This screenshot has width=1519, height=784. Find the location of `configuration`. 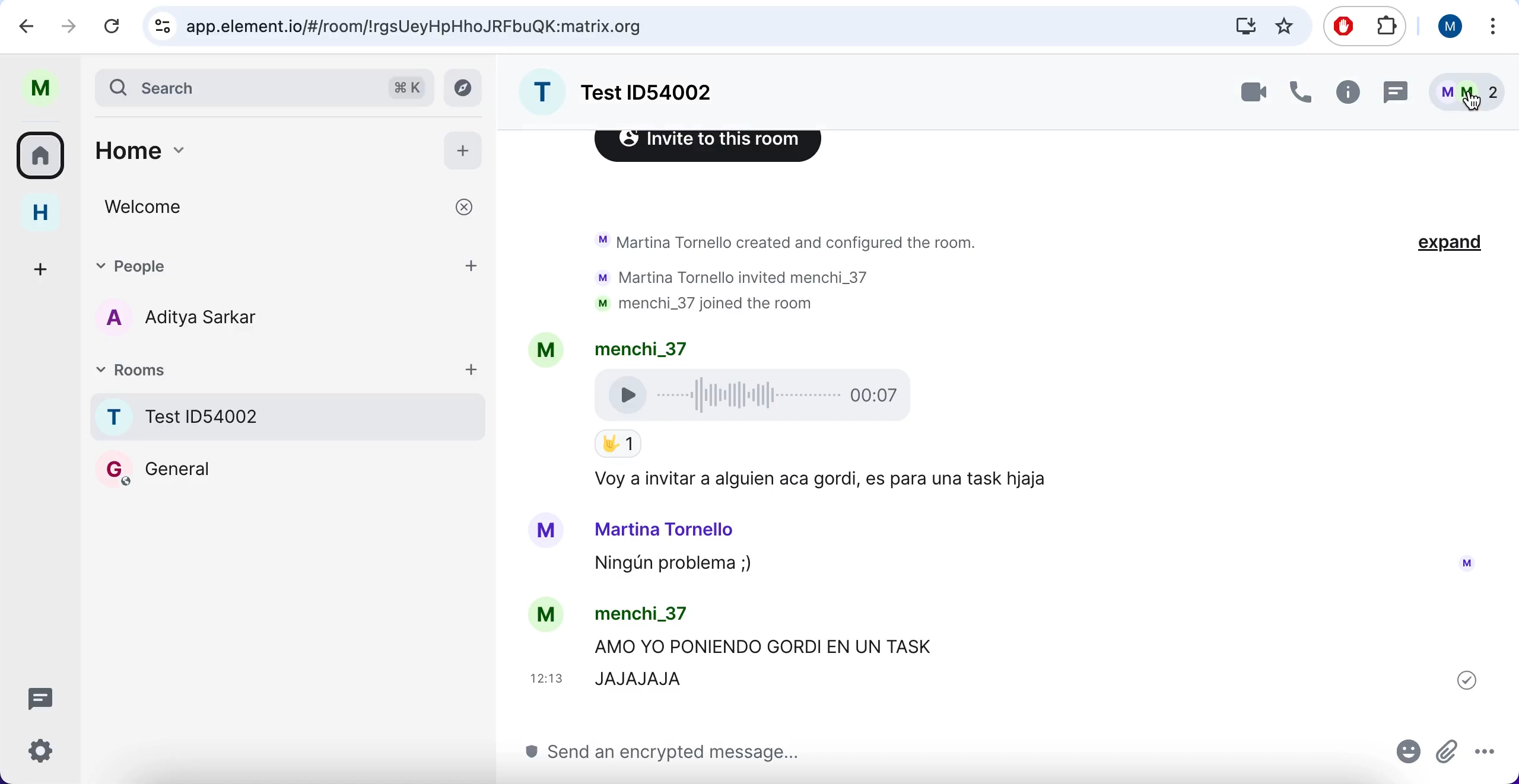

configuration is located at coordinates (44, 754).